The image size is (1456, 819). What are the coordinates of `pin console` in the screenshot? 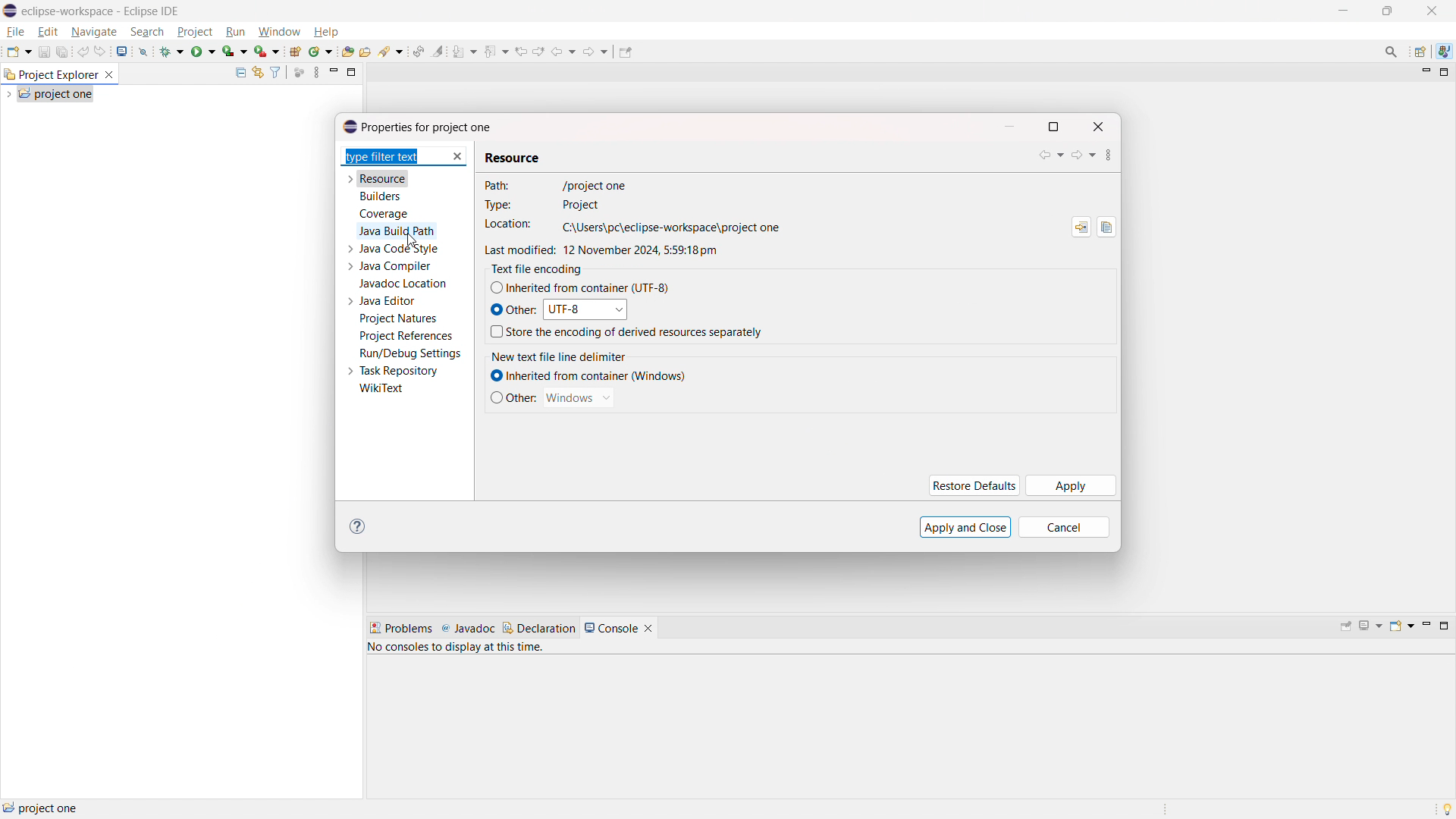 It's located at (1346, 627).